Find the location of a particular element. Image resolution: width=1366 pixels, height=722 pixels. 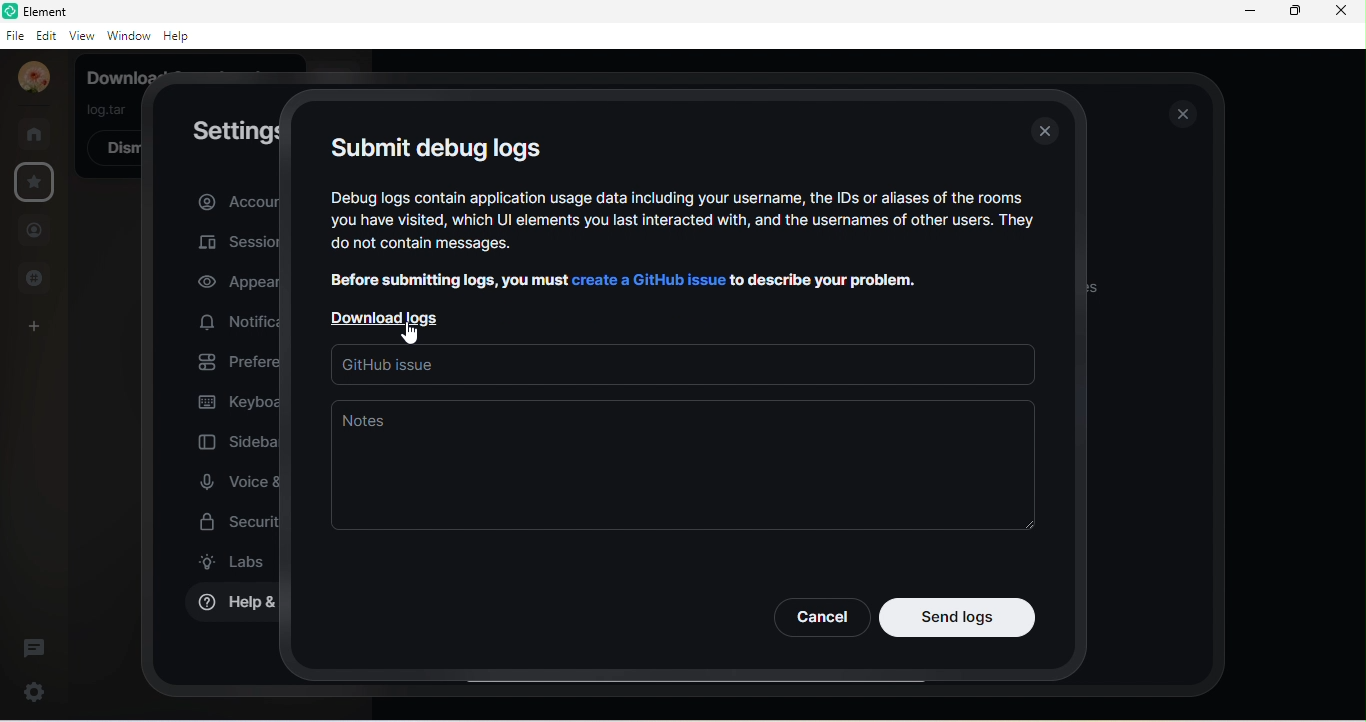

profile photo is located at coordinates (28, 78).